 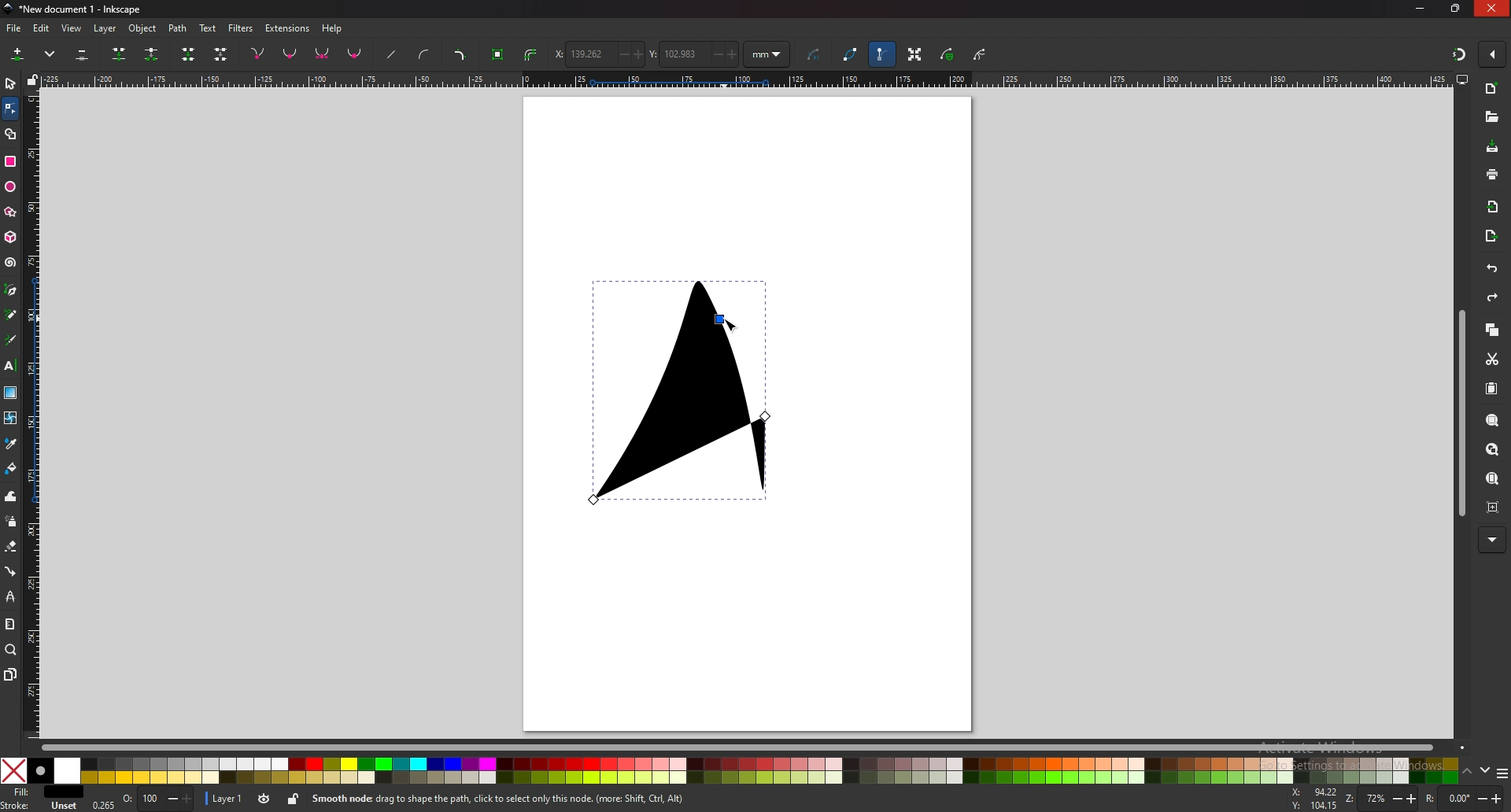 What do you see at coordinates (1467, 772) in the screenshot?
I see `up` at bounding box center [1467, 772].